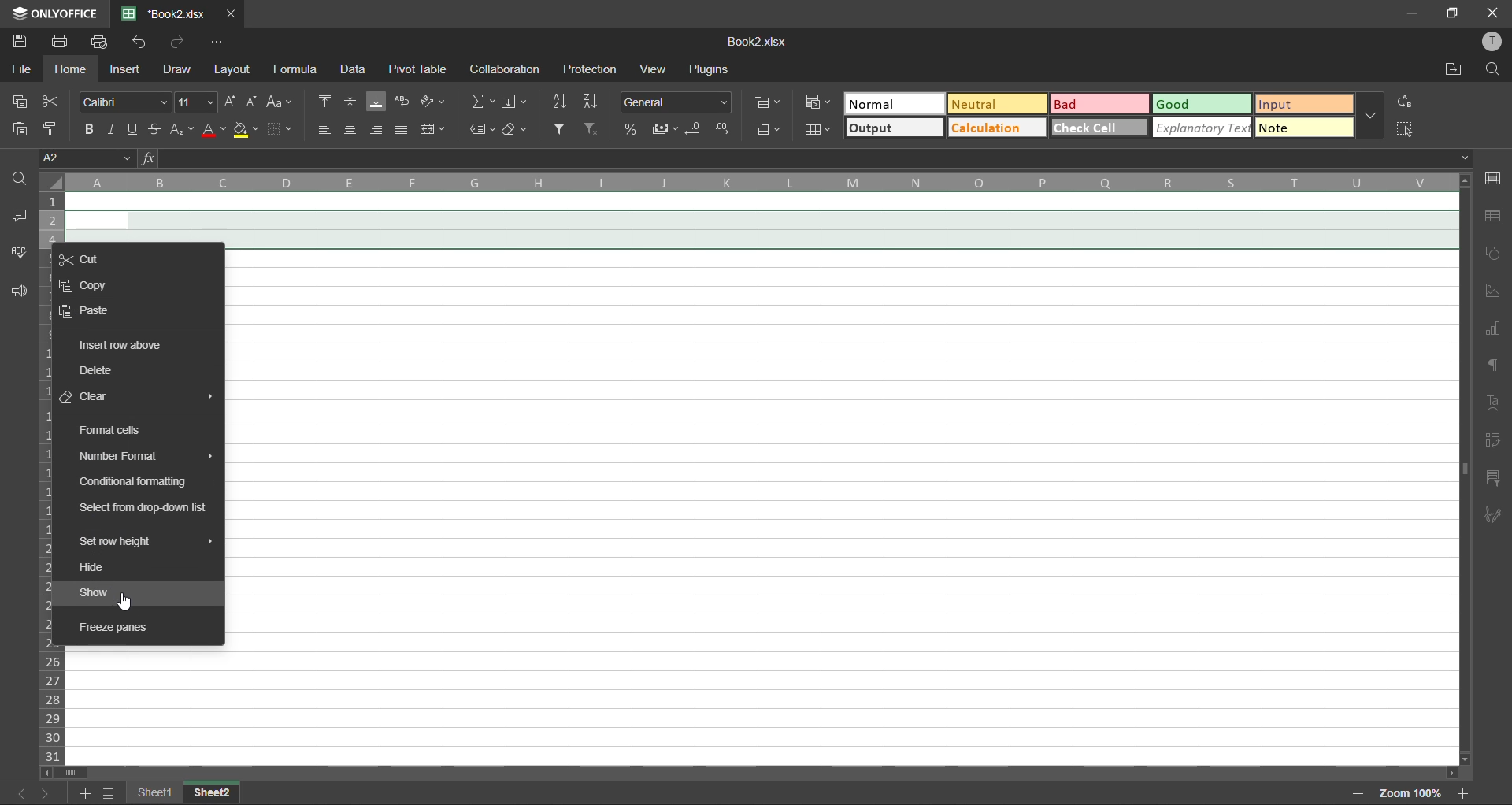  What do you see at coordinates (175, 68) in the screenshot?
I see `draw` at bounding box center [175, 68].